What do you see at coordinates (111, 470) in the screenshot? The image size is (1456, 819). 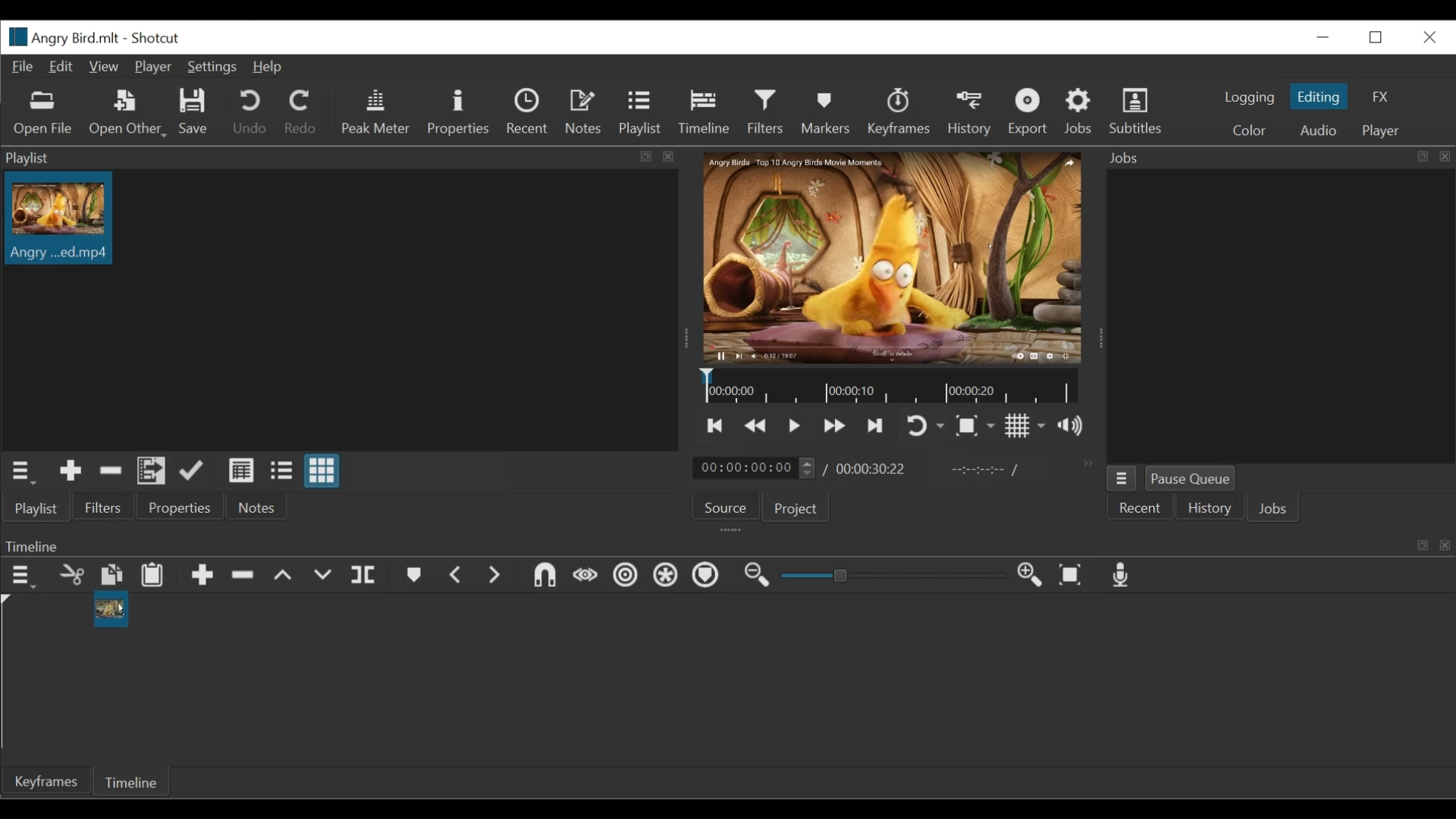 I see `Remove Cut` at bounding box center [111, 470].